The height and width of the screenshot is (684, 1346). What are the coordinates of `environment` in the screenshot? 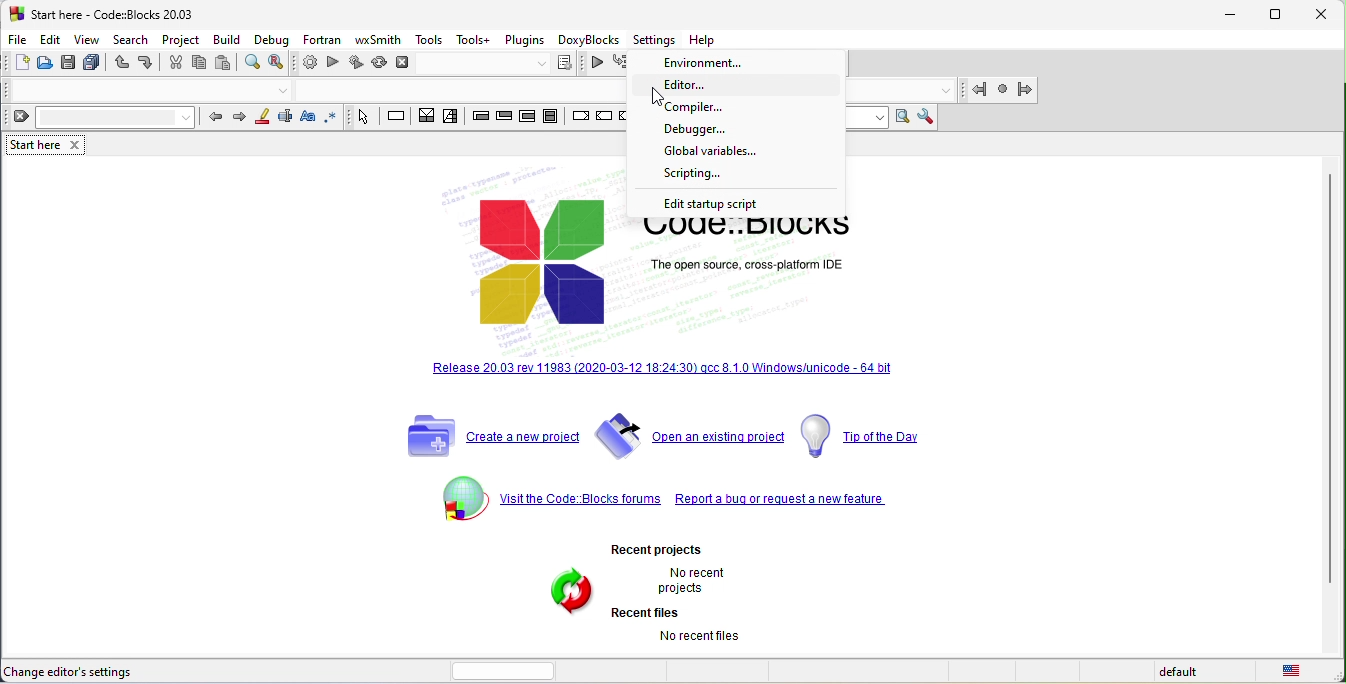 It's located at (712, 62).